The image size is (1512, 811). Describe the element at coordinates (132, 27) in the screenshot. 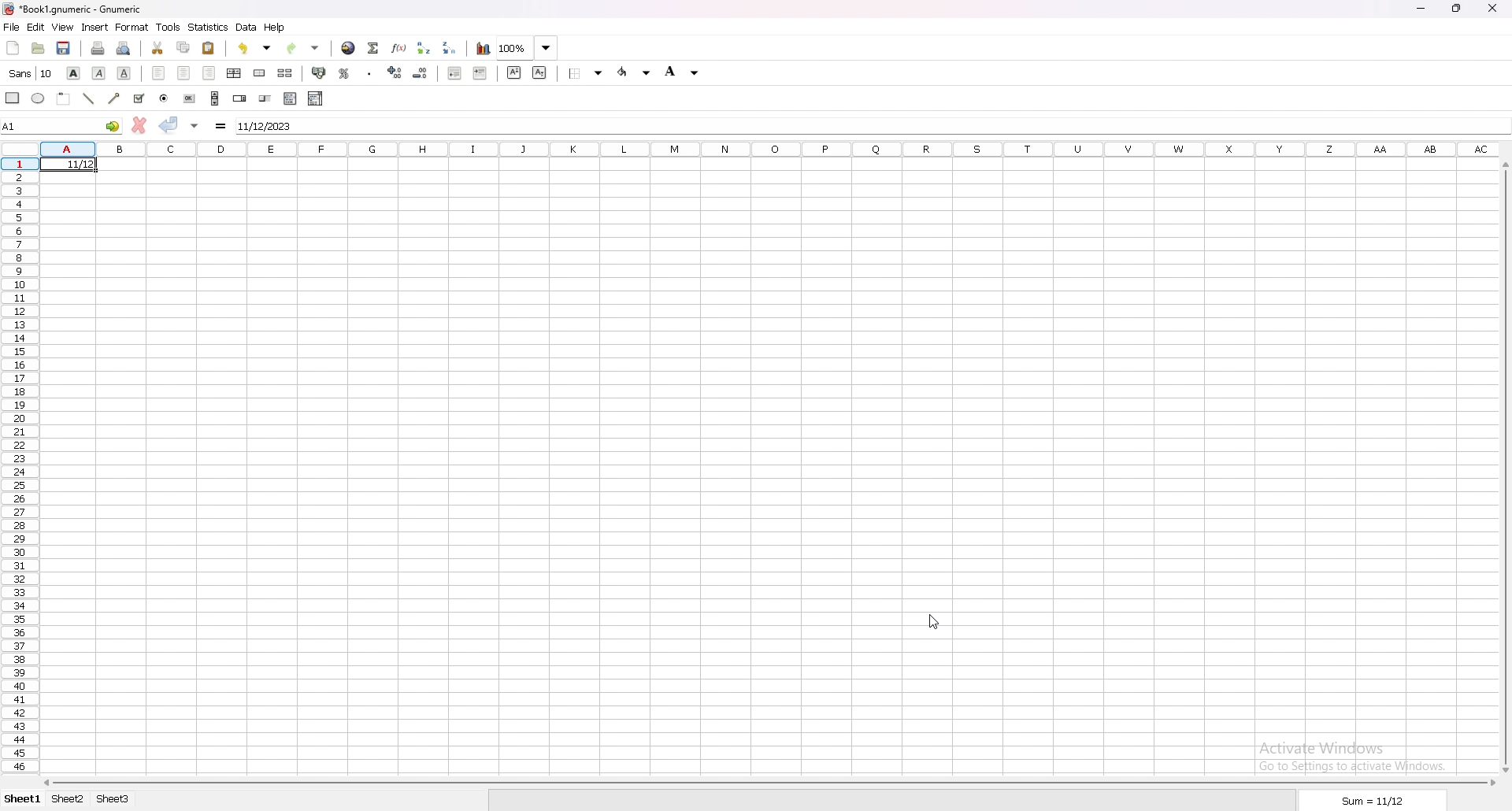

I see `format` at that location.